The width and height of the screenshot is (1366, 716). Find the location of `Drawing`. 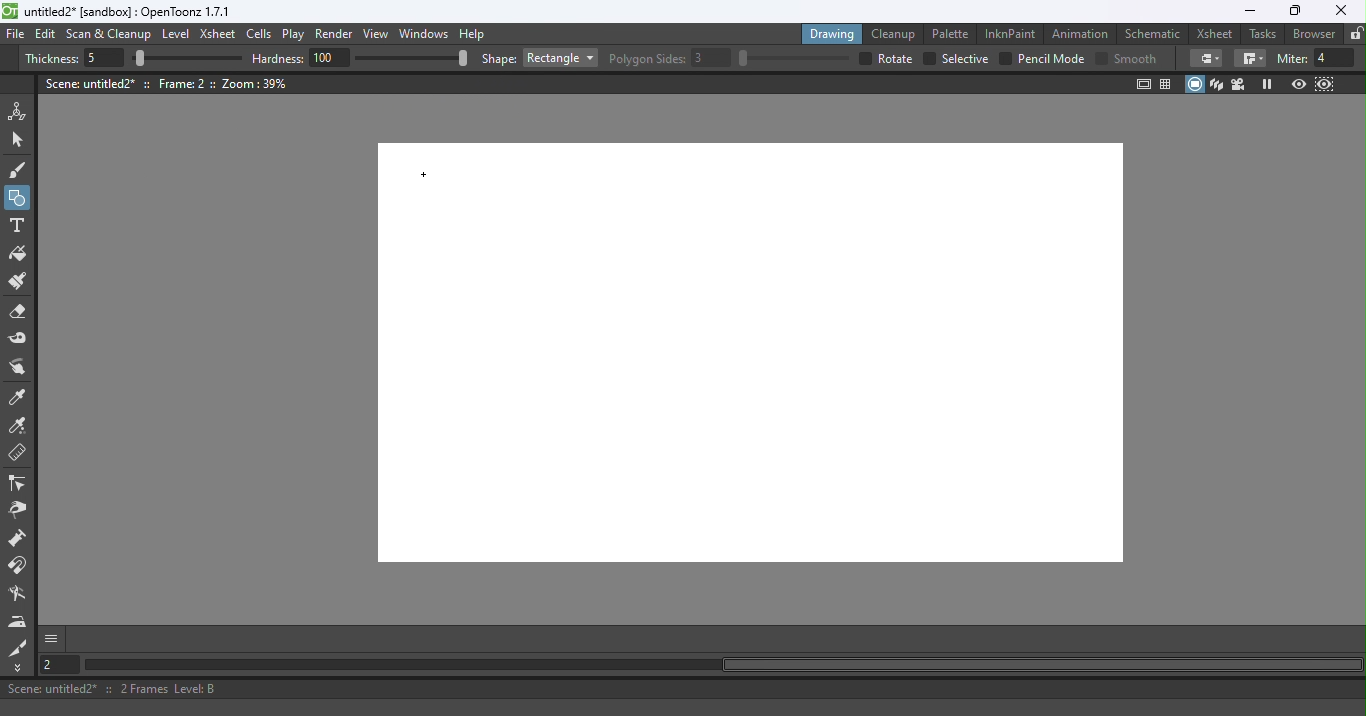

Drawing is located at coordinates (834, 33).